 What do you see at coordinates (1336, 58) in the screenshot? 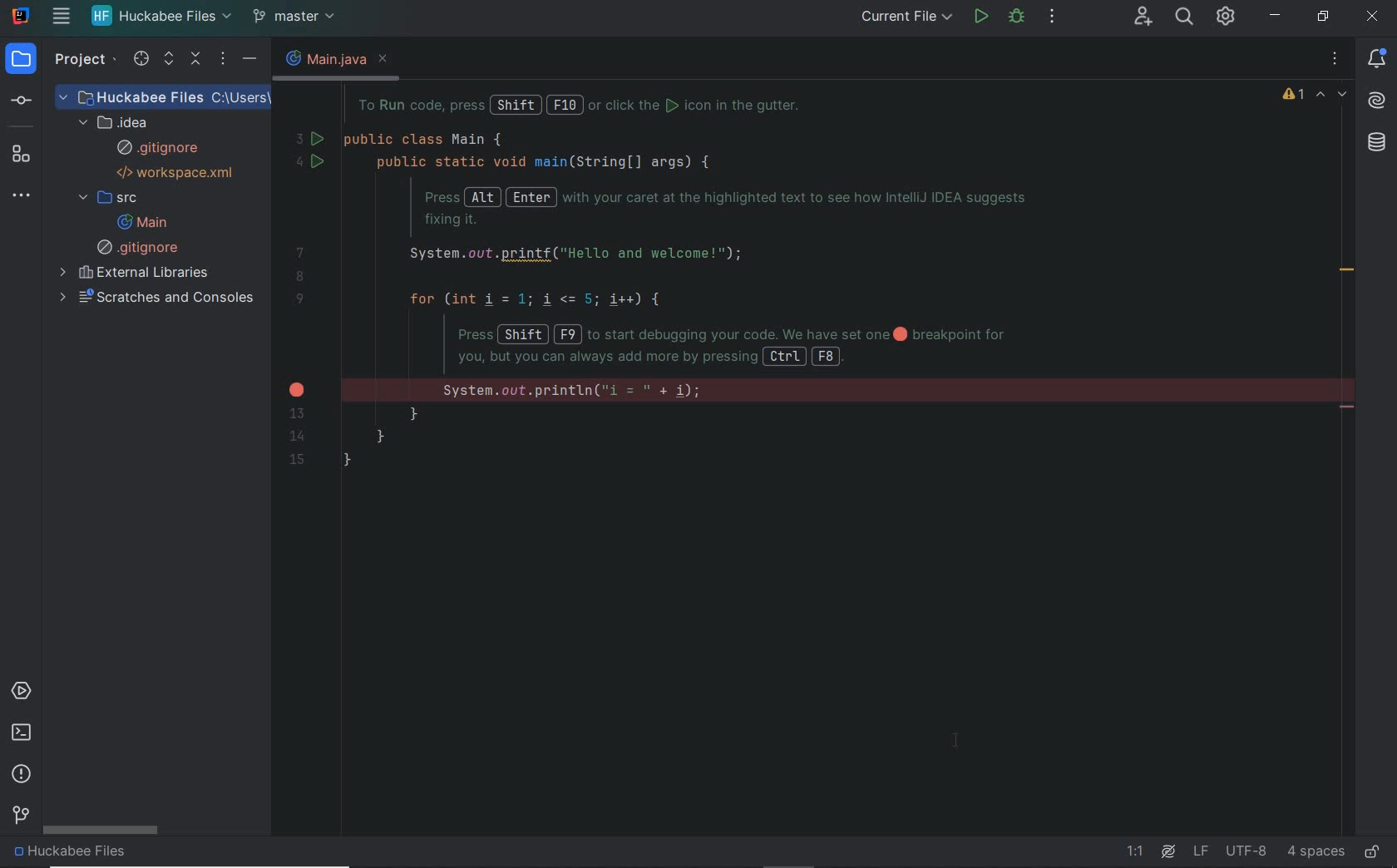
I see `recent files, tab options` at bounding box center [1336, 58].